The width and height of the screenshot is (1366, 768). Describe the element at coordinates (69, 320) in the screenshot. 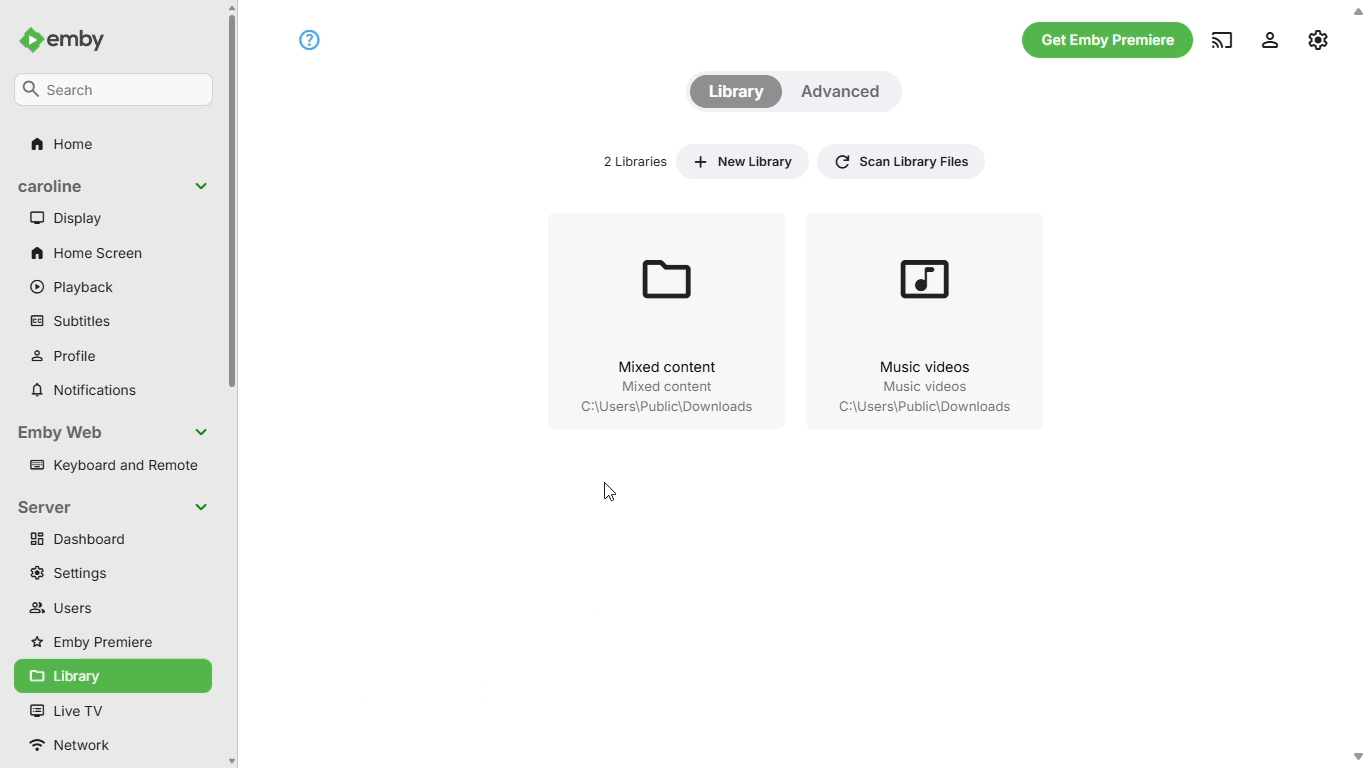

I see `subtitles` at that location.